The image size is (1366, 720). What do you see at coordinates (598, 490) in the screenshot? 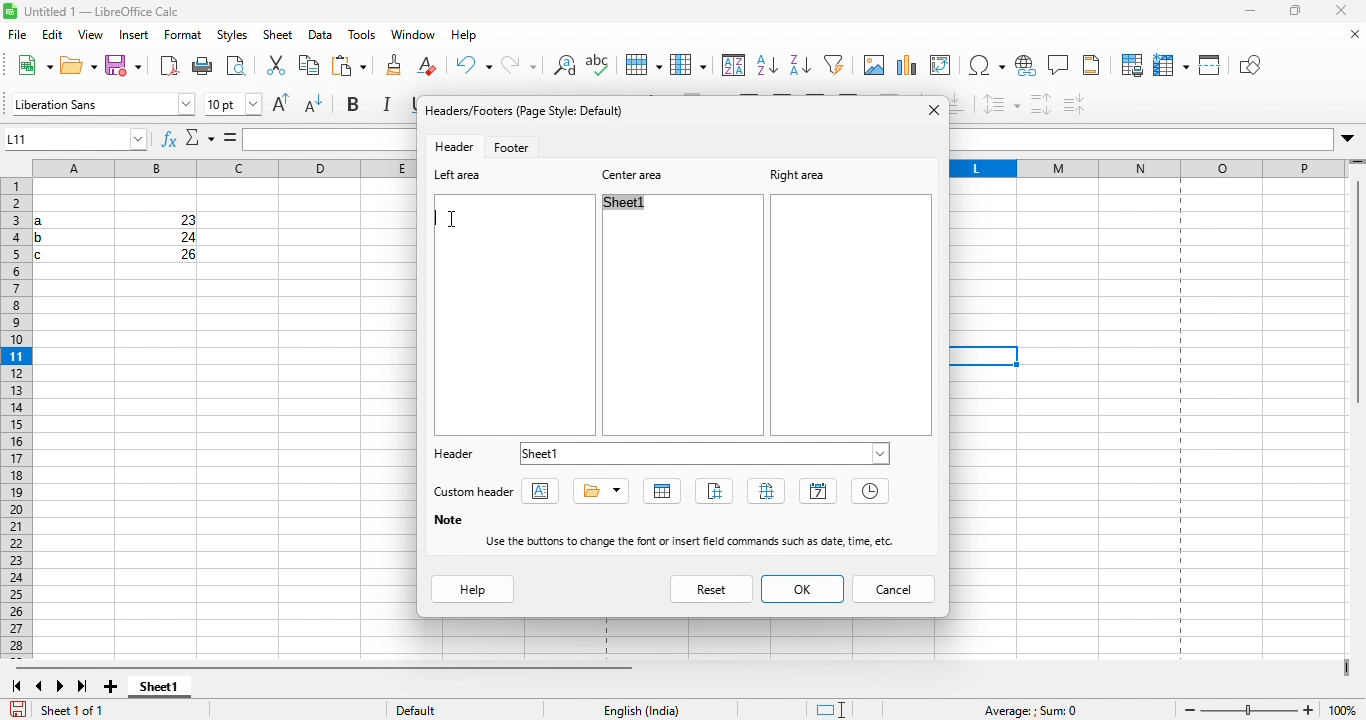
I see `title` at bounding box center [598, 490].